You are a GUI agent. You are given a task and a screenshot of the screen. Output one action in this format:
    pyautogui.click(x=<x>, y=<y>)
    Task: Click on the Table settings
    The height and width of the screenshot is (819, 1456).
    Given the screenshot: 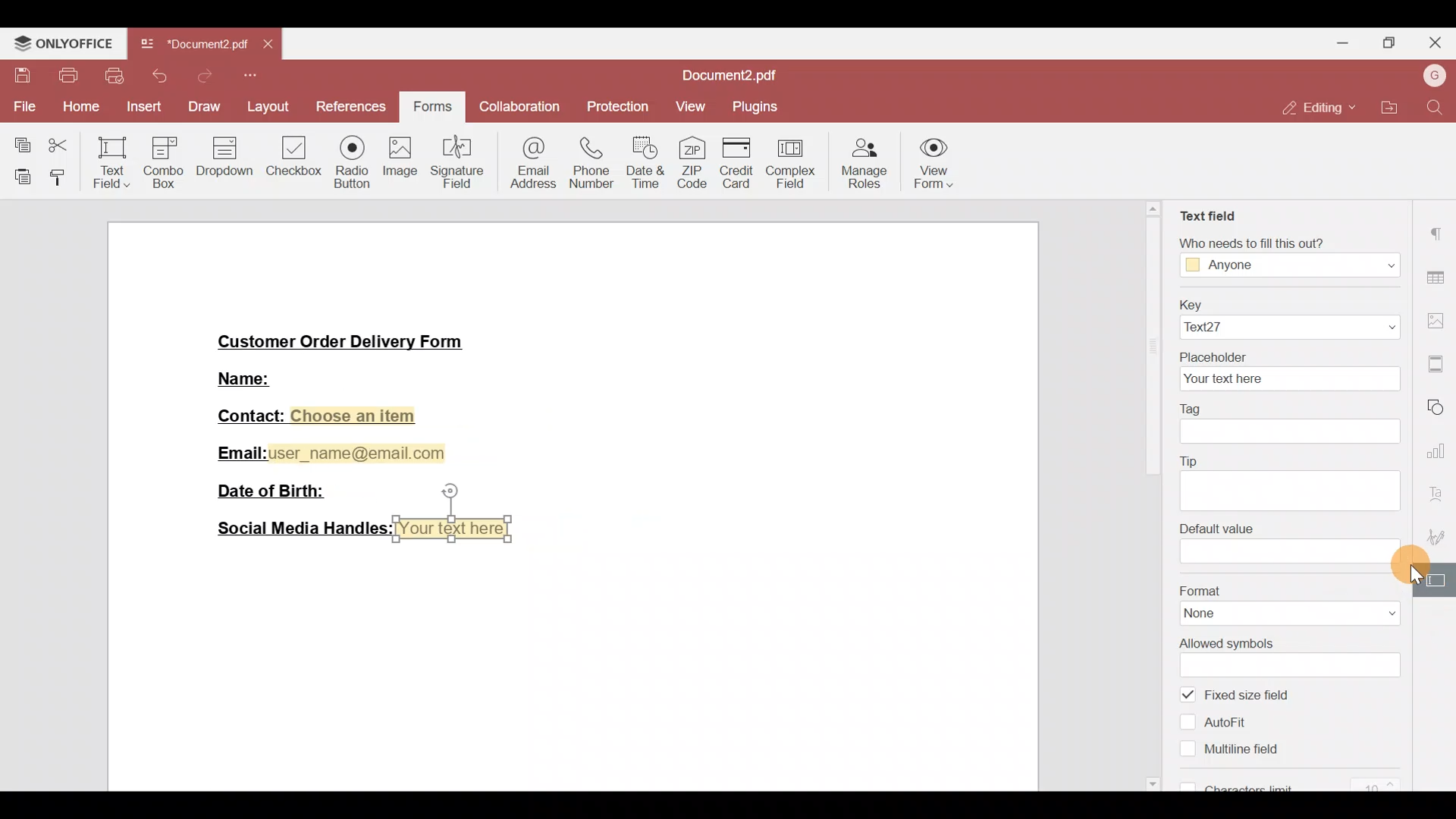 What is the action you would take?
    pyautogui.click(x=1438, y=275)
    